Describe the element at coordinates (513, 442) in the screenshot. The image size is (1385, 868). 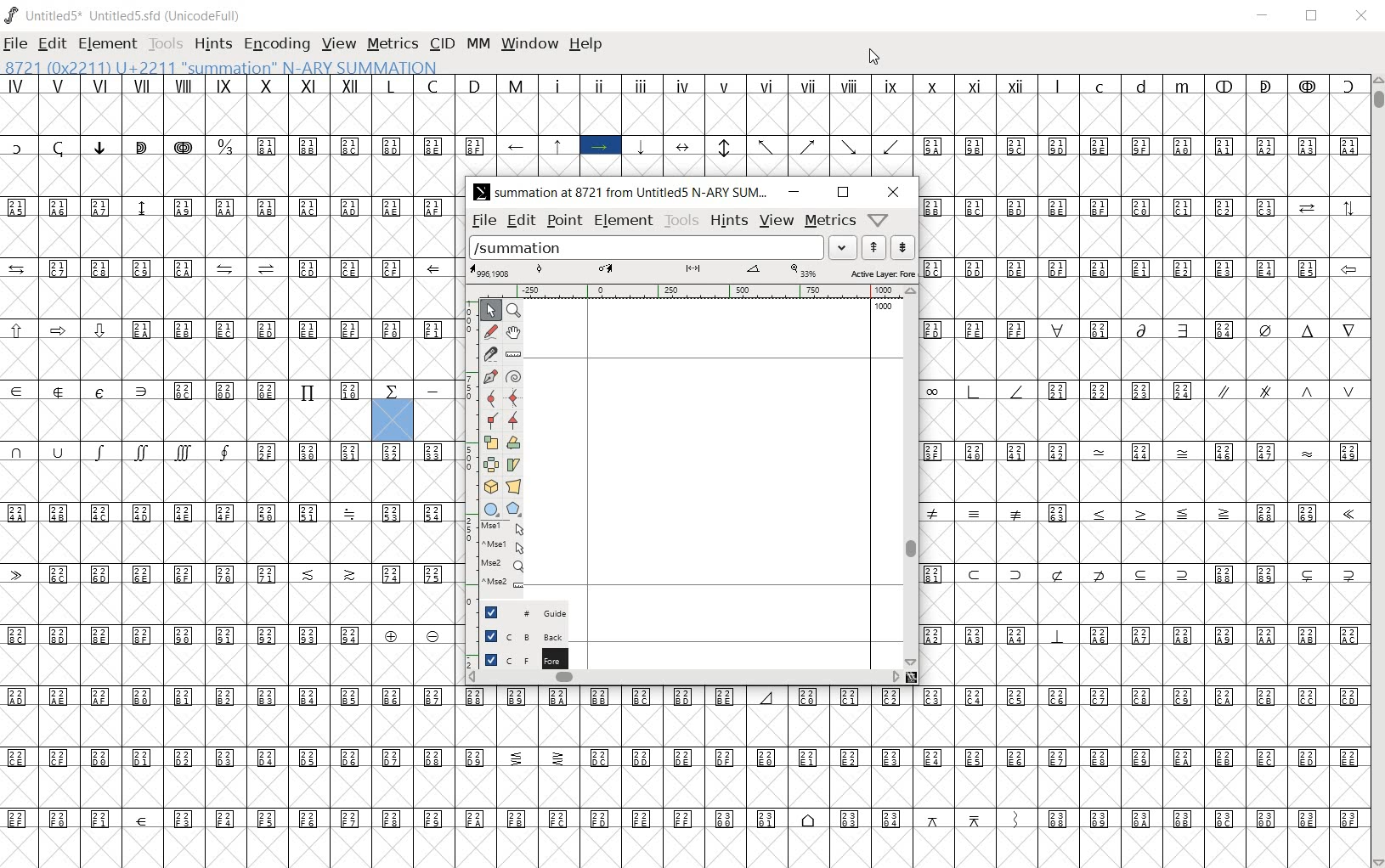
I see `rotate the selection` at that location.